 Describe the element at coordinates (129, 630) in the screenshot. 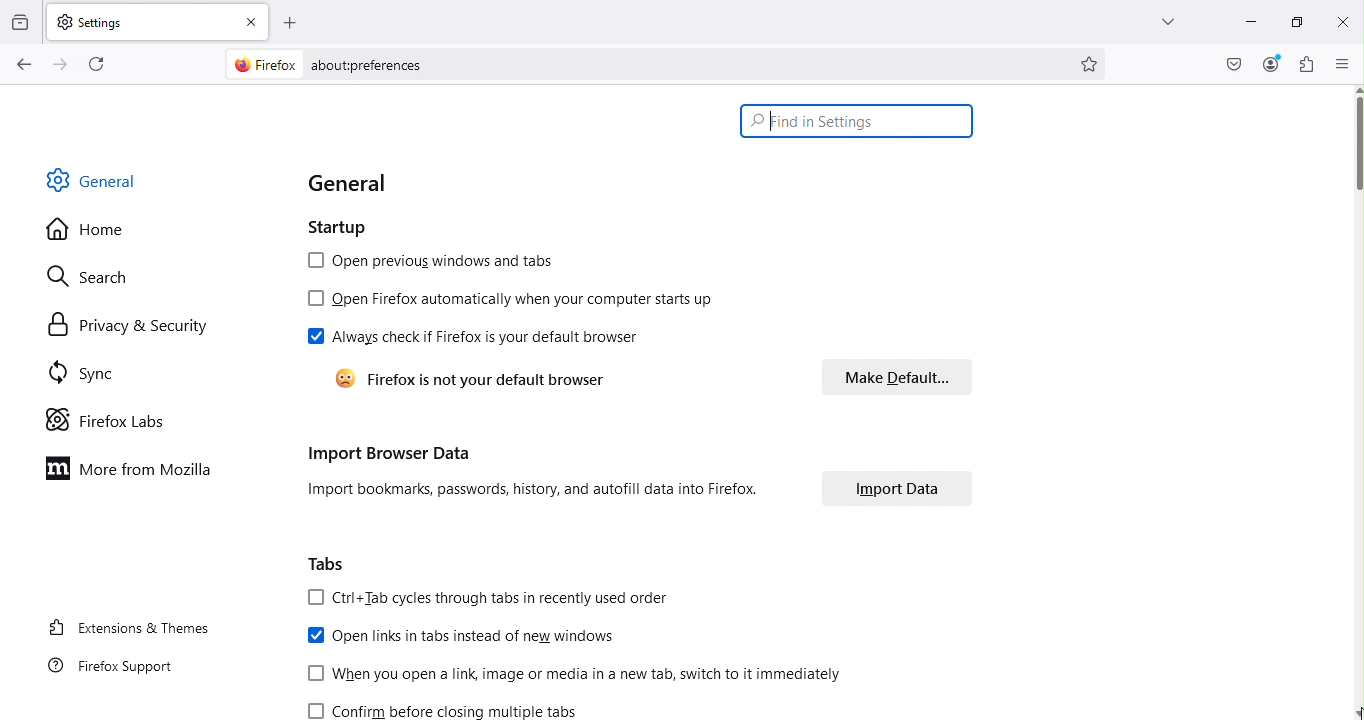

I see `Extensions and themes` at that location.